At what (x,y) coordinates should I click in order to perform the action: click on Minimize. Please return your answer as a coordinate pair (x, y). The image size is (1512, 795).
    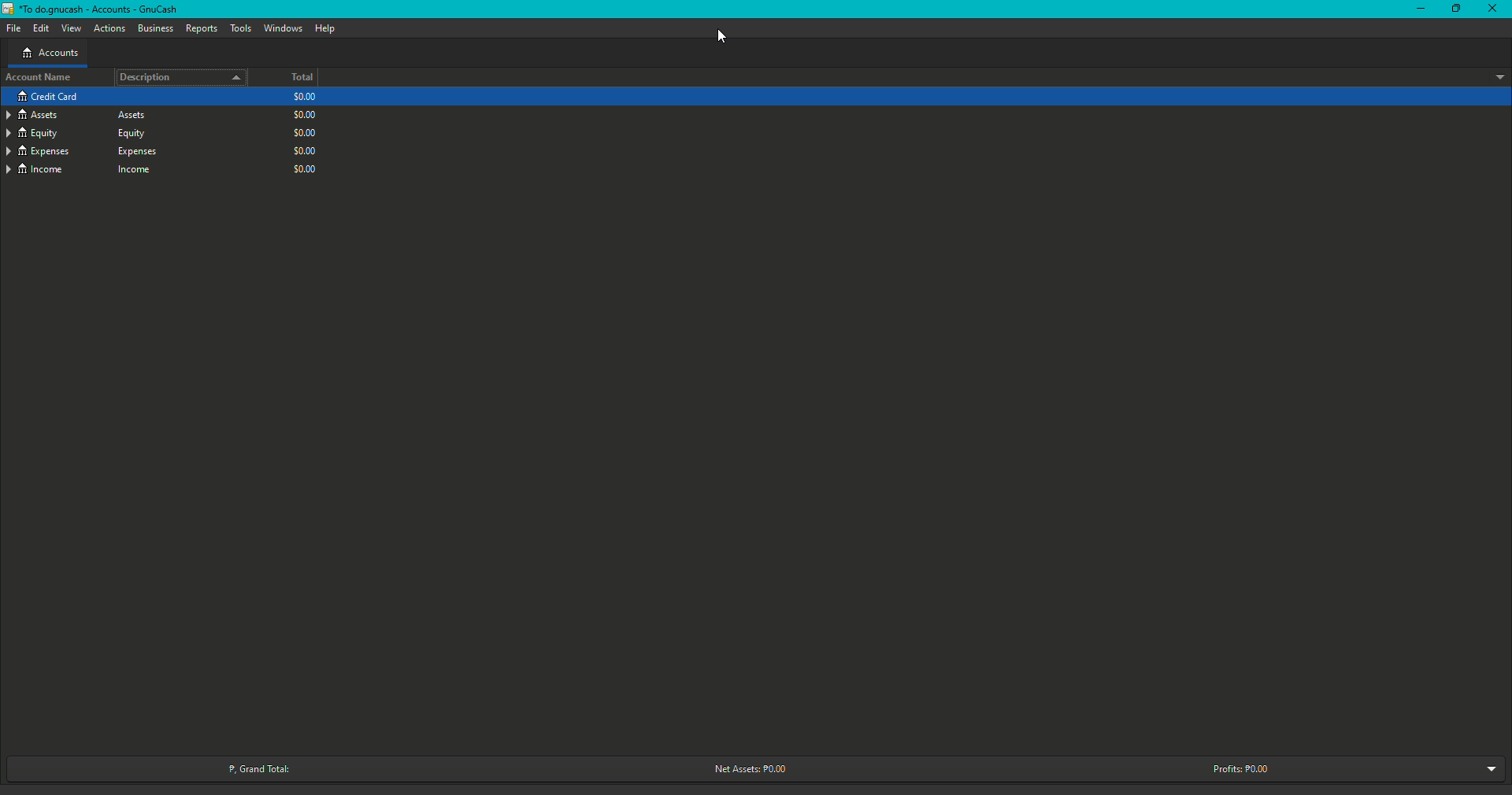
    Looking at the image, I should click on (1417, 9).